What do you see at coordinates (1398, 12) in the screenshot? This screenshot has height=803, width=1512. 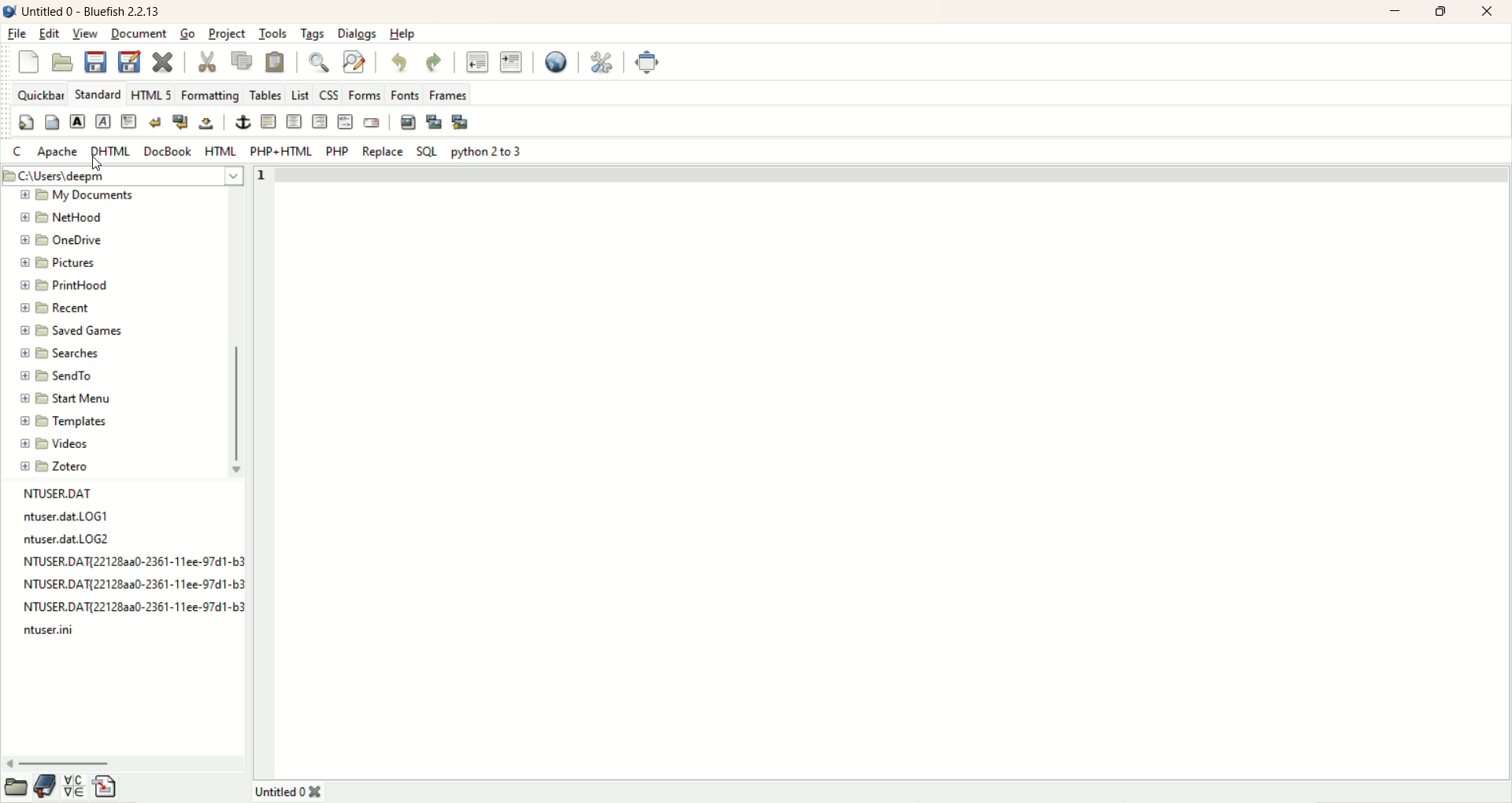 I see `minimize` at bounding box center [1398, 12].